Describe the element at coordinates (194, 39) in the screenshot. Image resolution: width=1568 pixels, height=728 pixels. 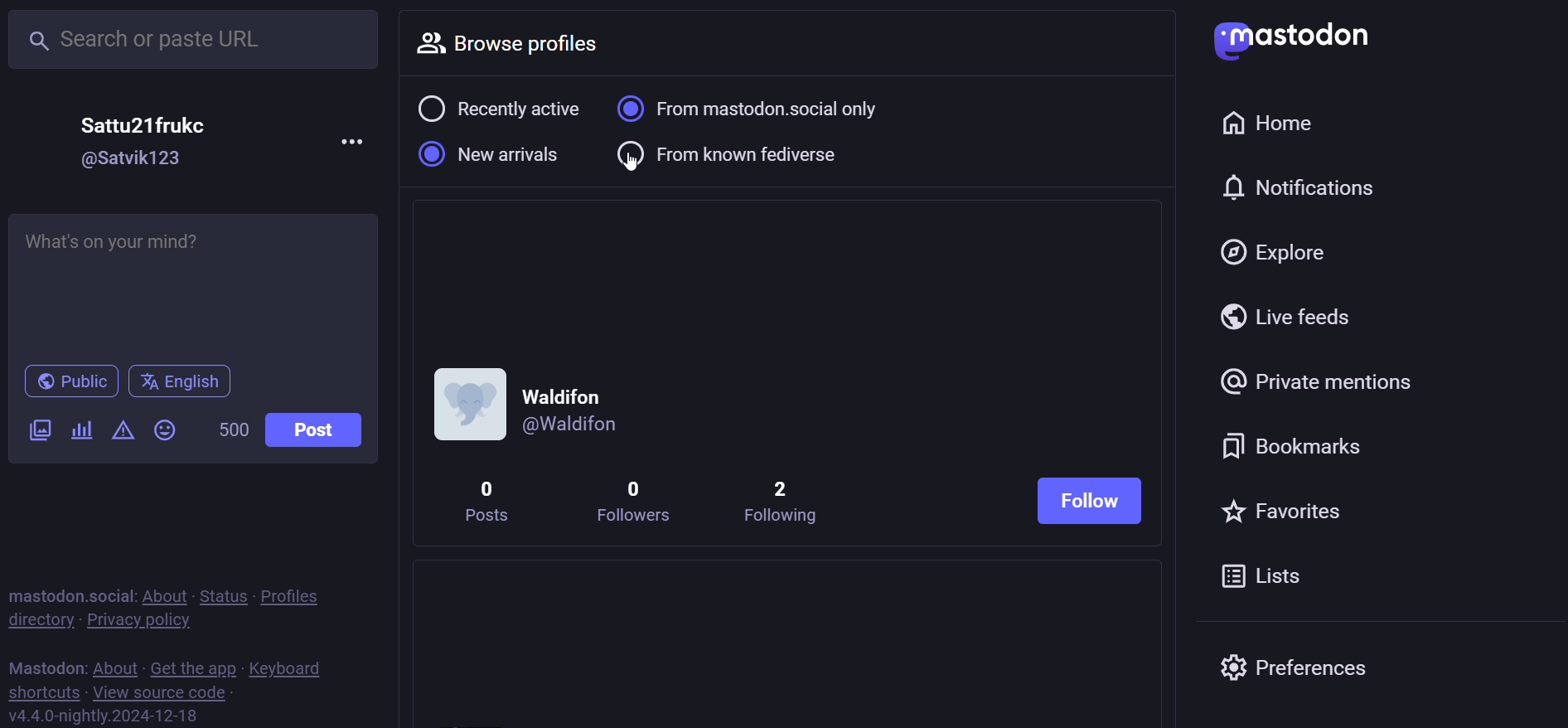
I see `Search or paste URL` at that location.